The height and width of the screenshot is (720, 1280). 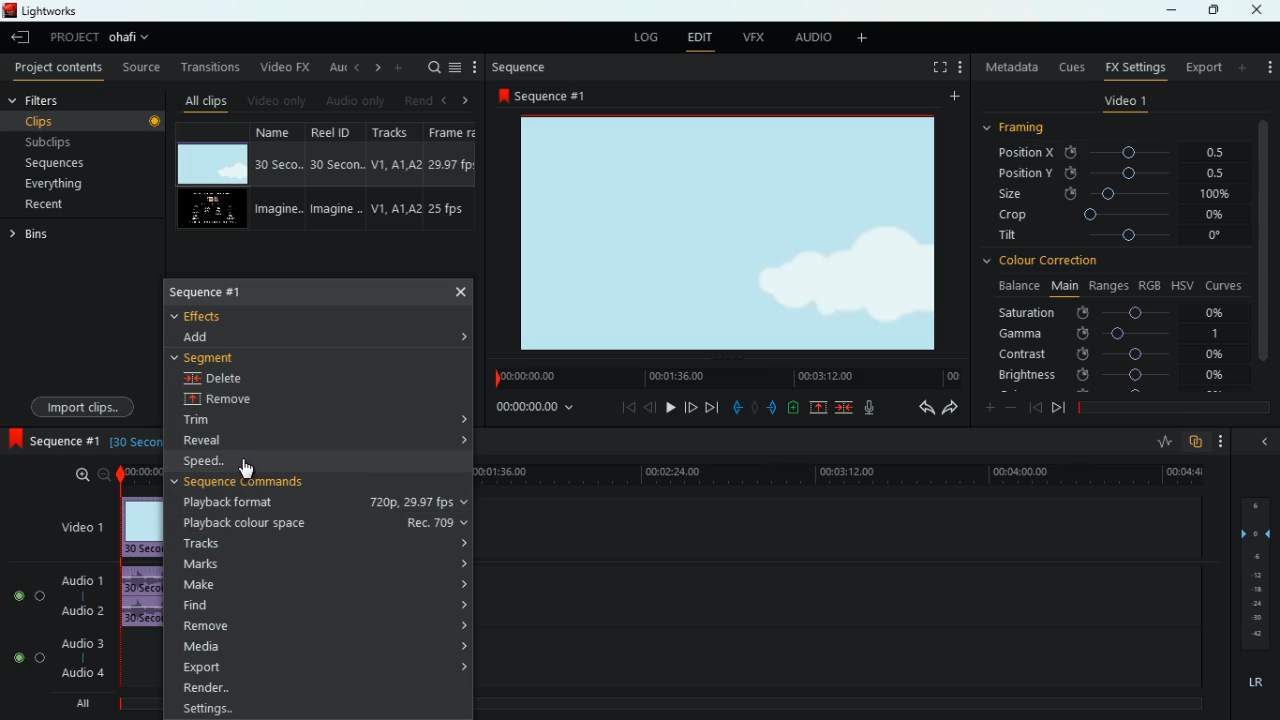 I want to click on import clips, so click(x=86, y=404).